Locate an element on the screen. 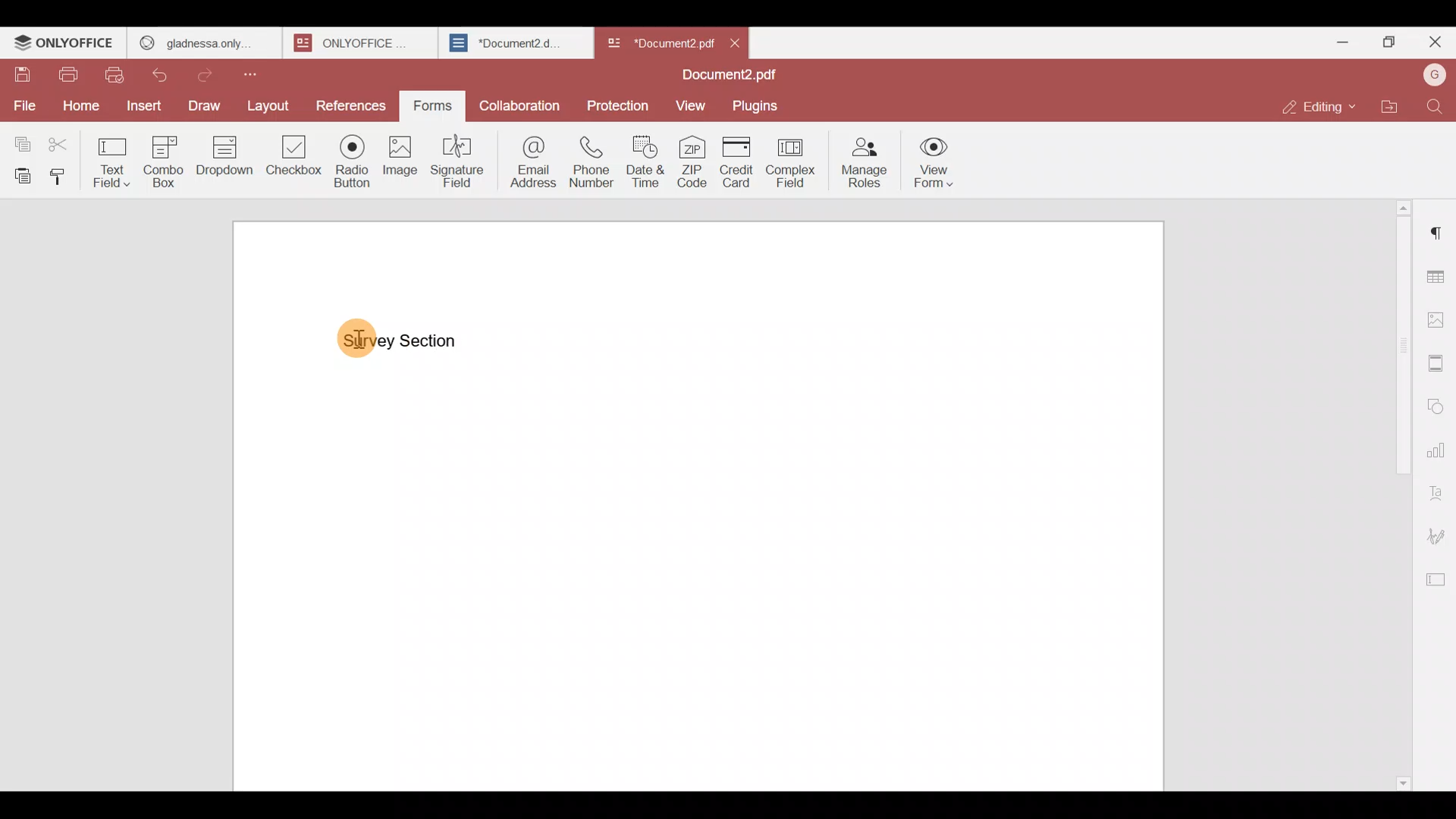 The height and width of the screenshot is (819, 1456). Forms is located at coordinates (427, 106).